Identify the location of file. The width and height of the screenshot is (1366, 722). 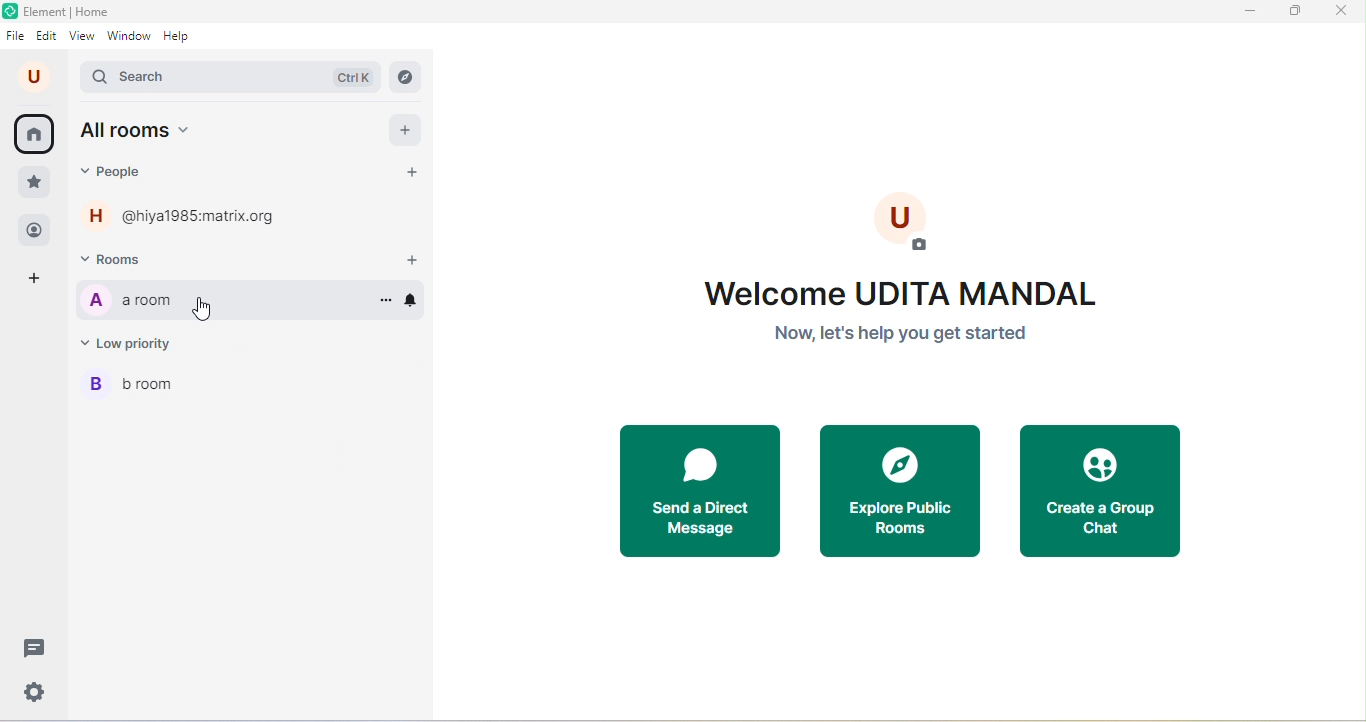
(17, 37).